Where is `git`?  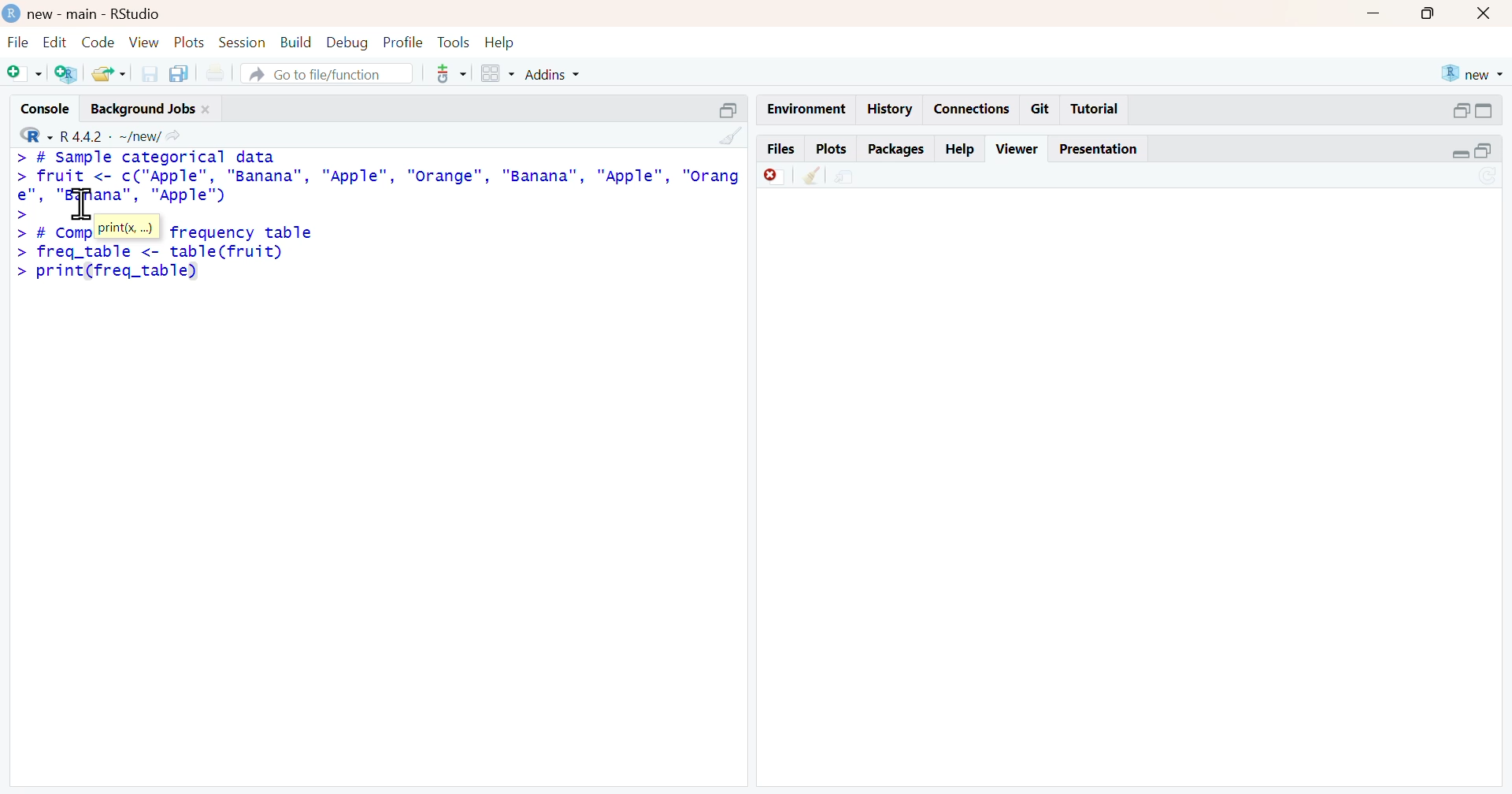
git is located at coordinates (1043, 109).